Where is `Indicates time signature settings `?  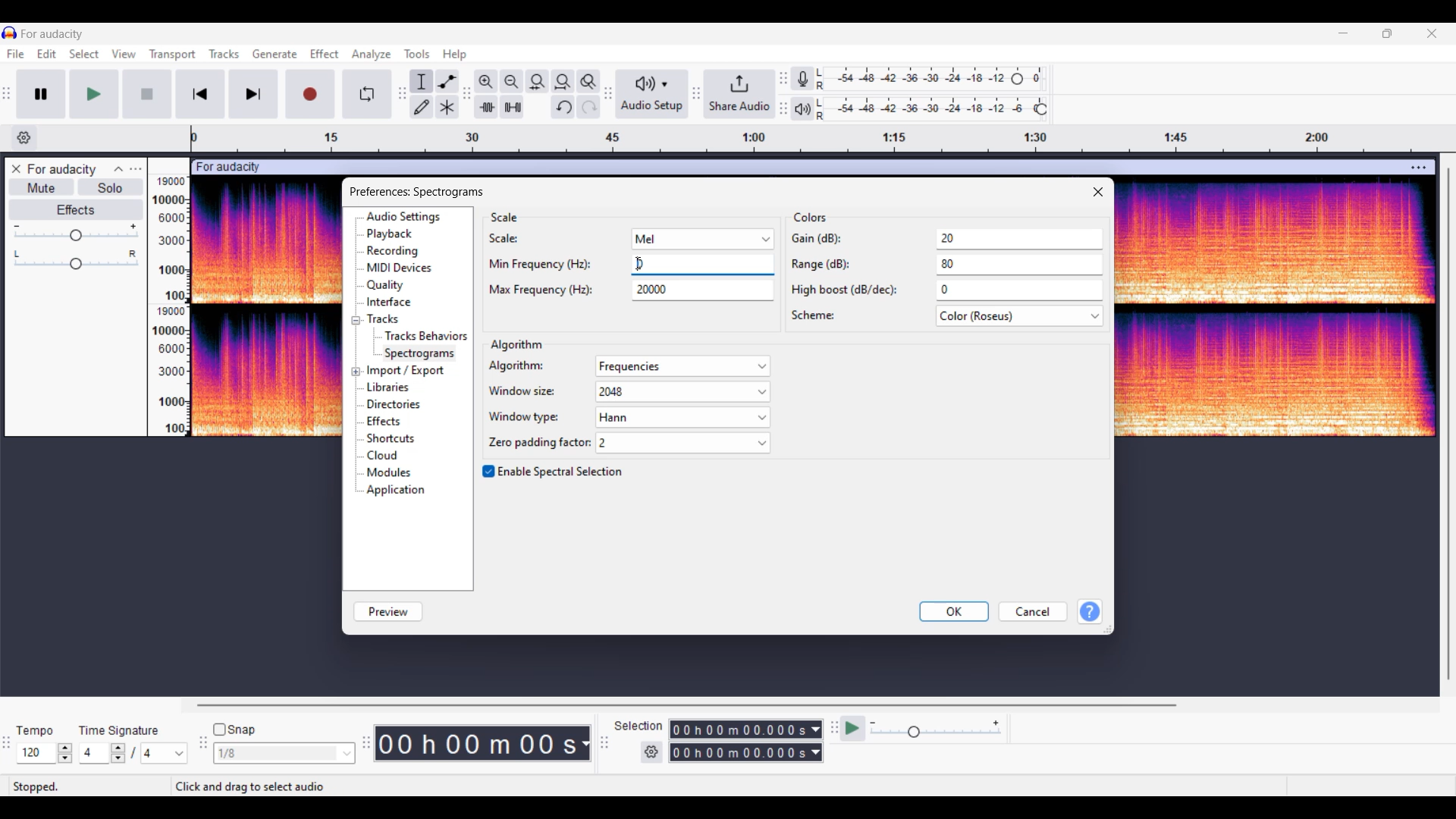
Indicates time signature settings  is located at coordinates (119, 731).